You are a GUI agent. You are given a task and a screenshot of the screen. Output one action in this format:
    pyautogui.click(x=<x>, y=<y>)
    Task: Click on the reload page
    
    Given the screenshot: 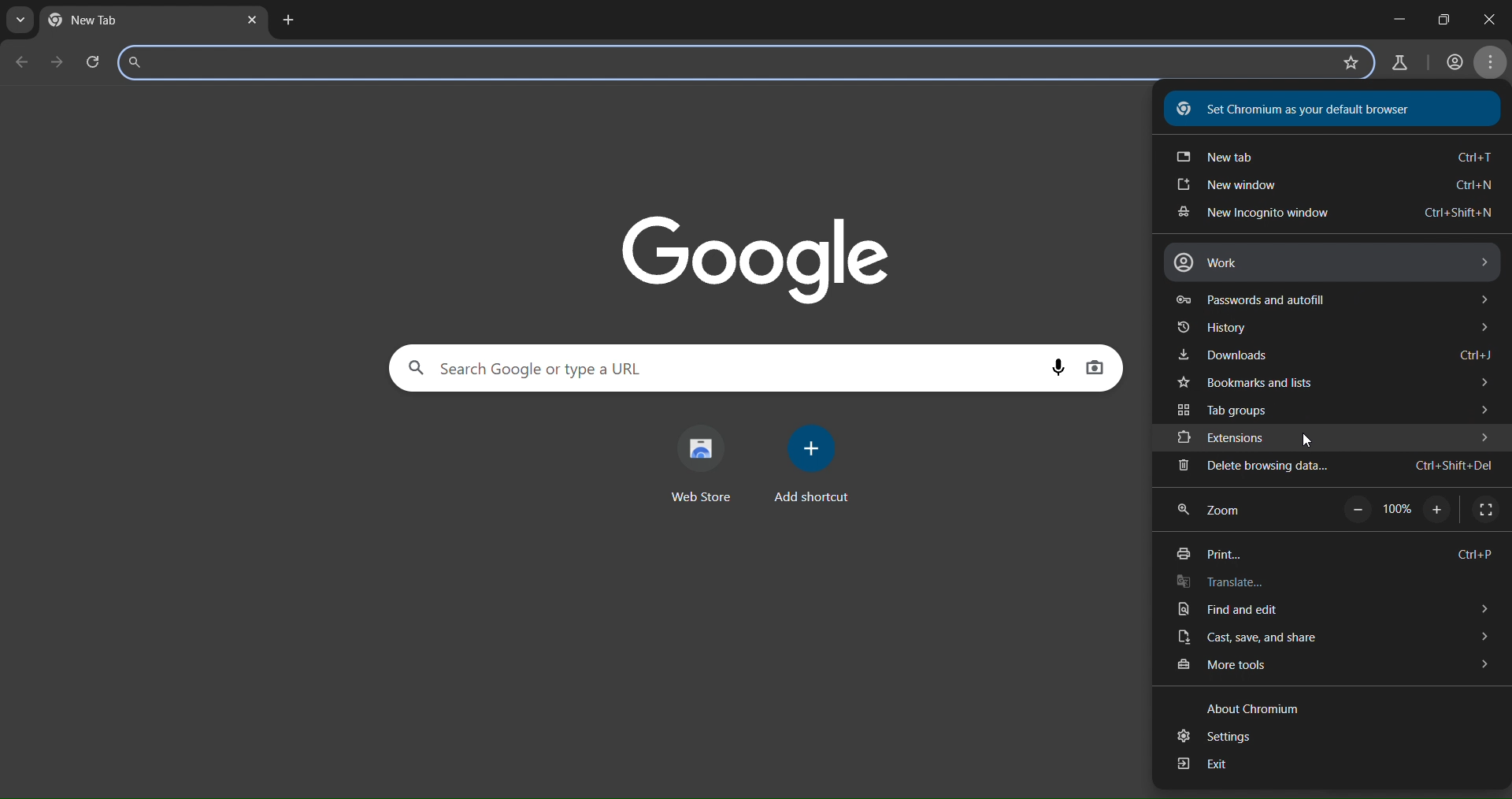 What is the action you would take?
    pyautogui.click(x=93, y=61)
    